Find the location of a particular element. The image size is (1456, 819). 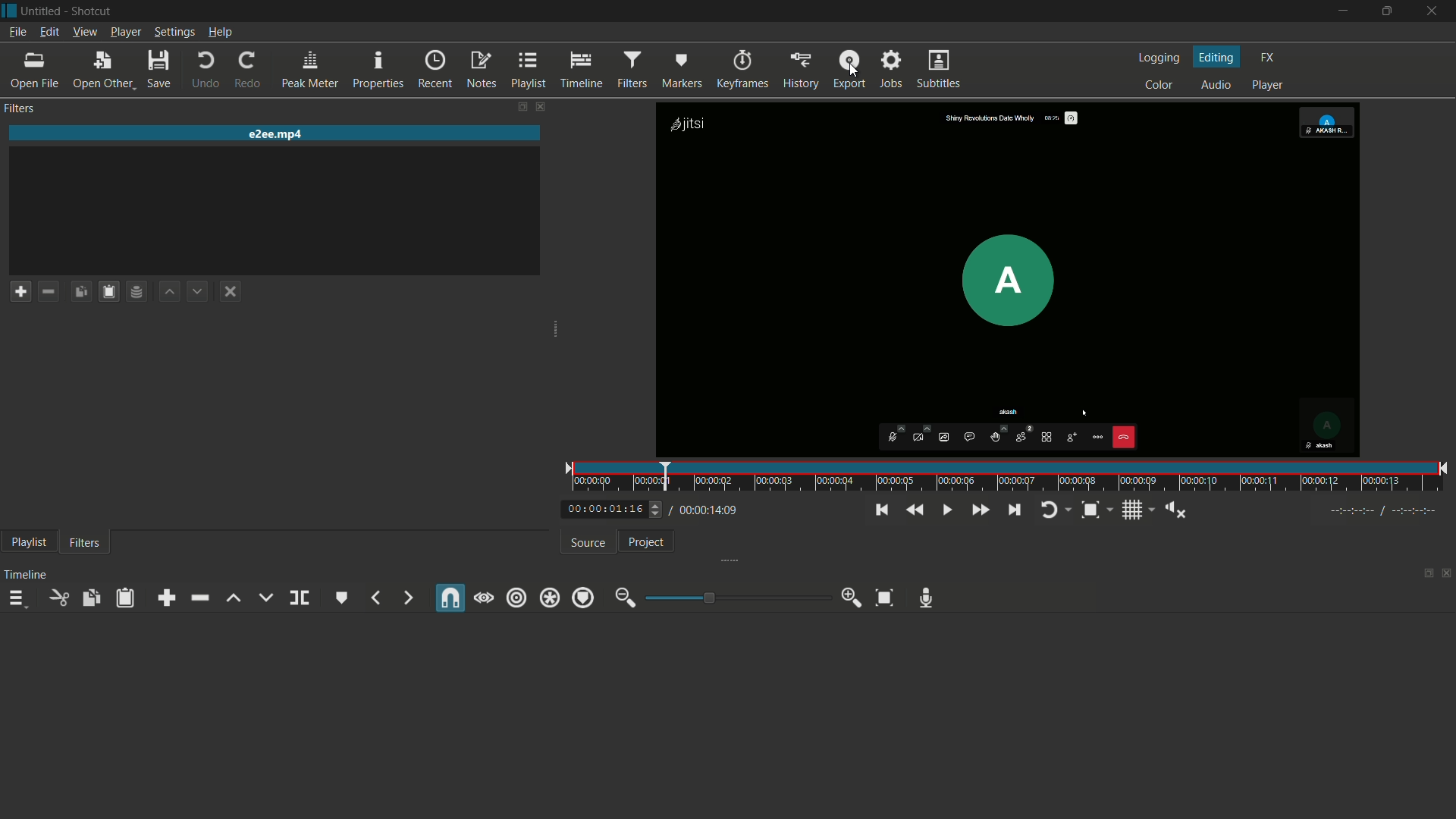

markers is located at coordinates (682, 71).